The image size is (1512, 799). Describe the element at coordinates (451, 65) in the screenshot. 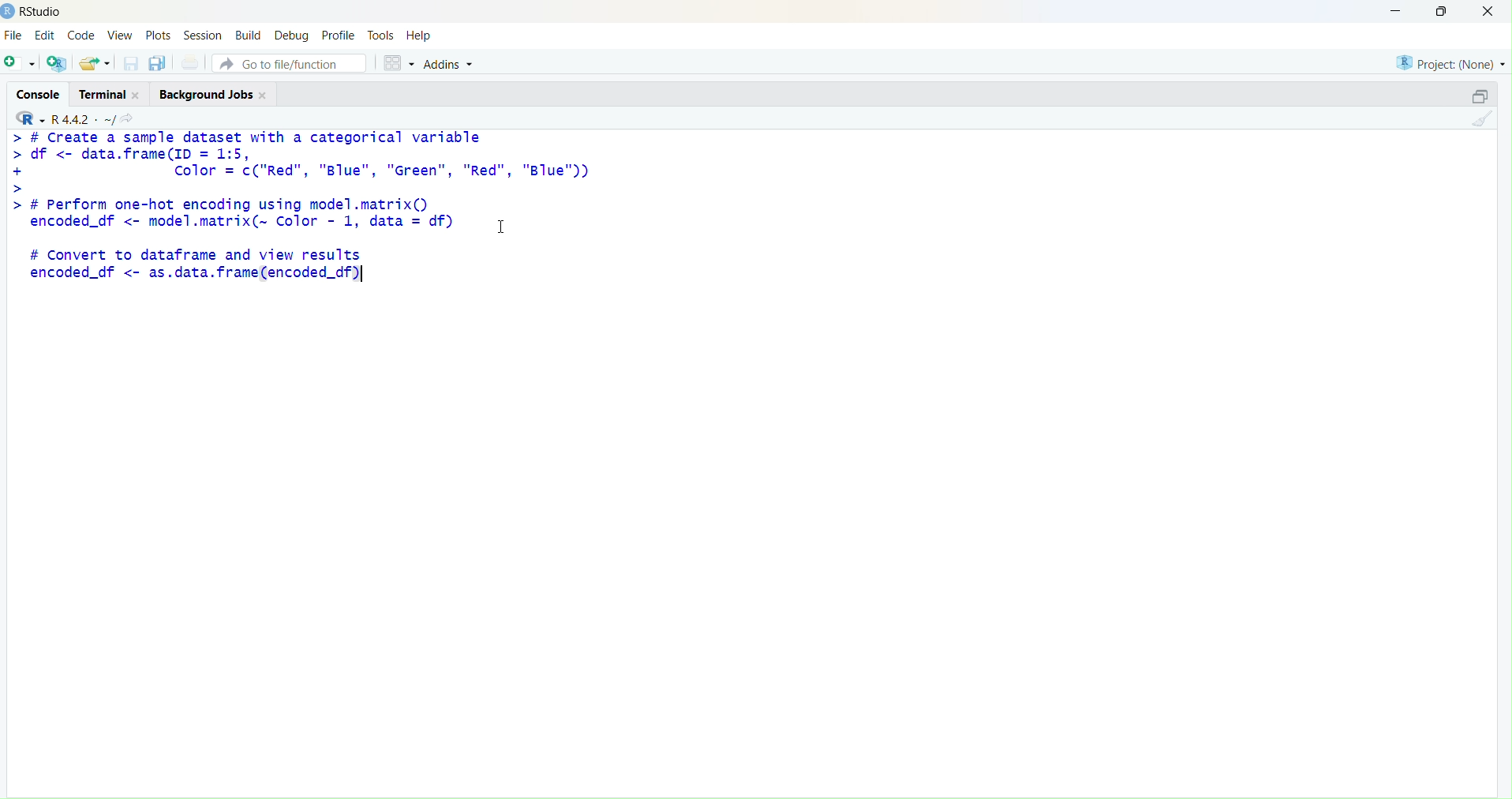

I see `addins` at that location.